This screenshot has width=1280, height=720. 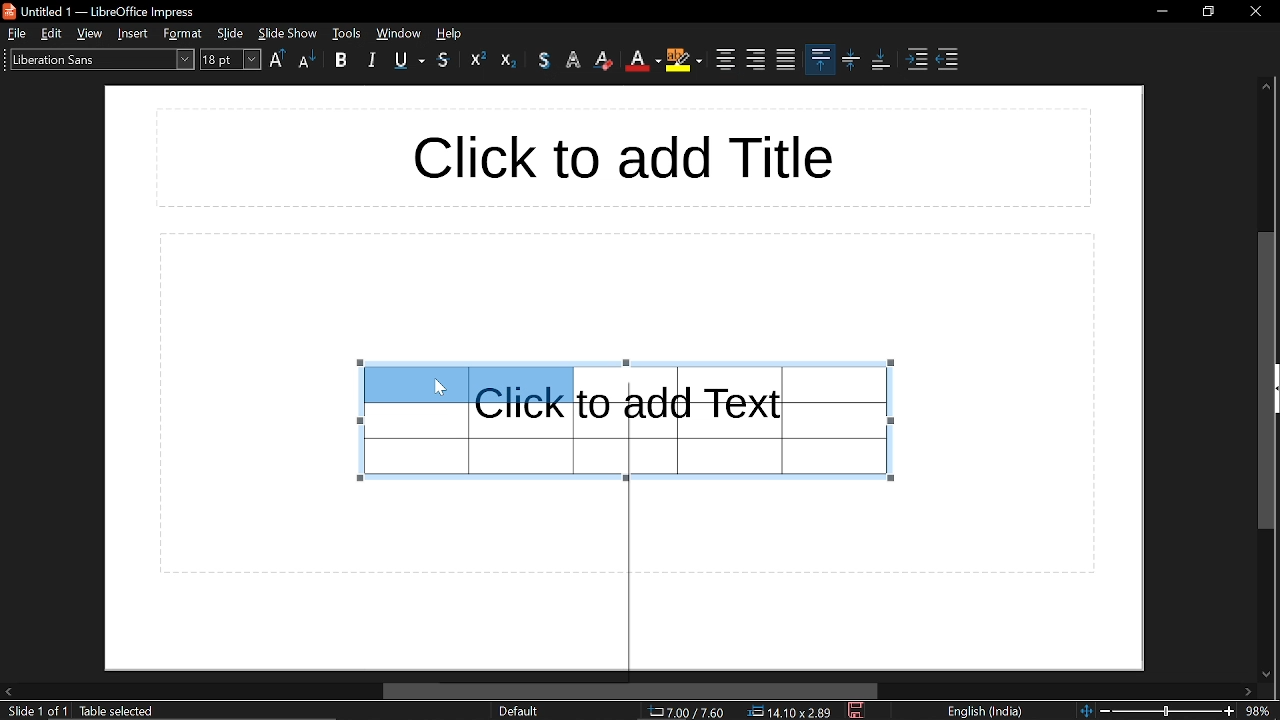 What do you see at coordinates (820, 58) in the screenshot?
I see `align top` at bounding box center [820, 58].